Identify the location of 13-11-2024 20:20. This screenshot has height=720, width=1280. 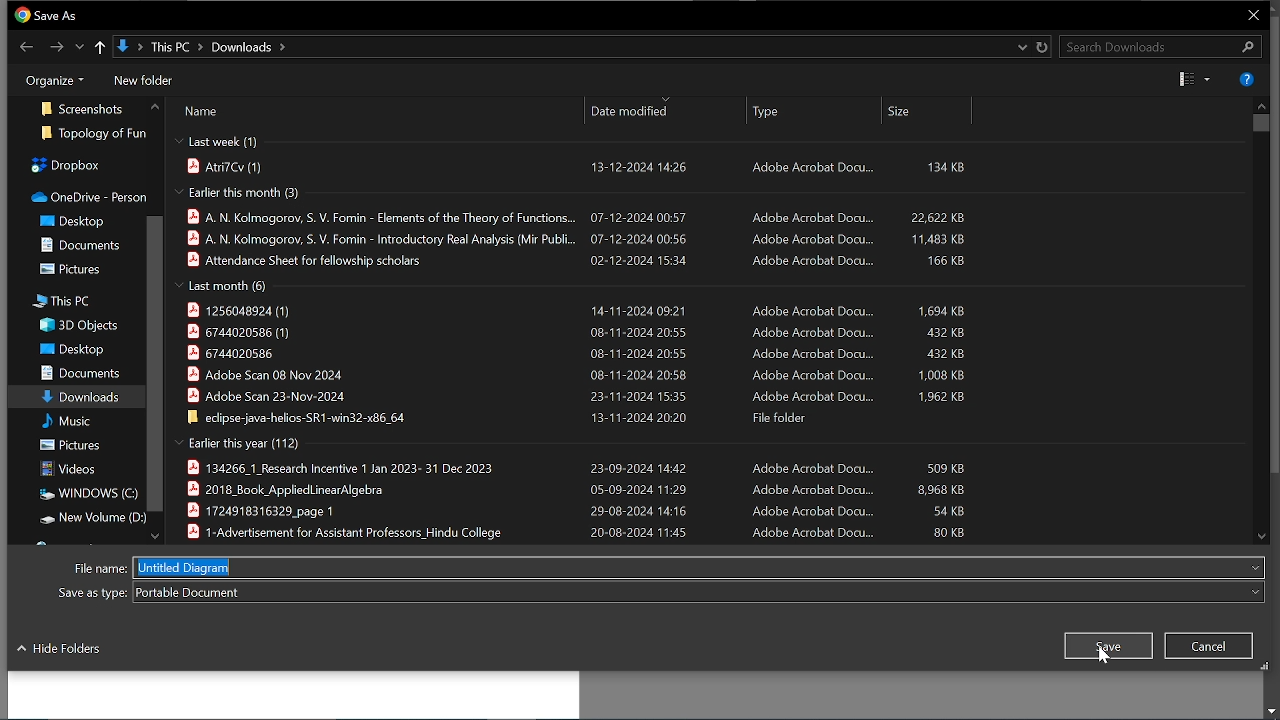
(636, 419).